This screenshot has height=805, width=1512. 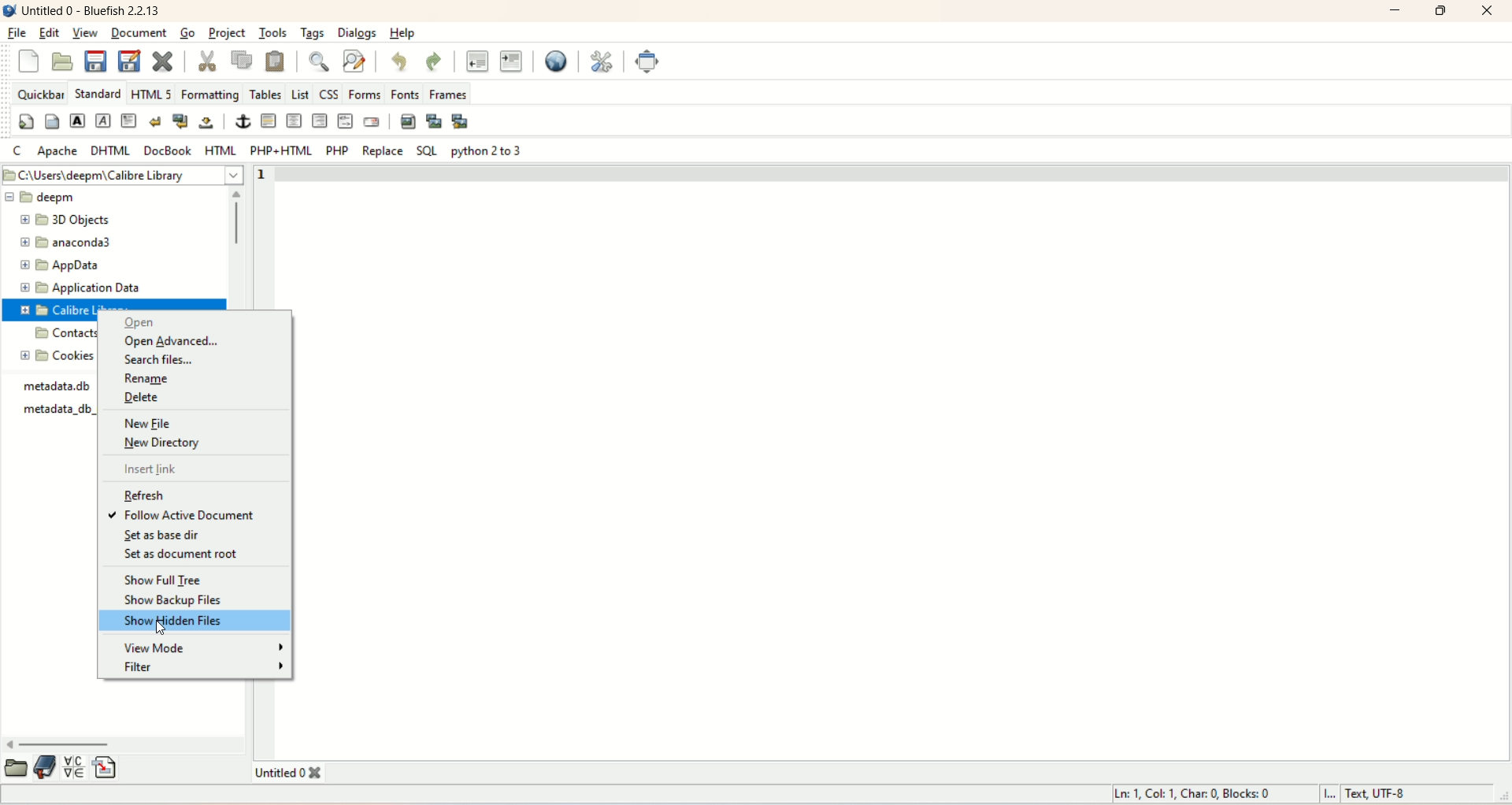 I want to click on documentation, so click(x=46, y=767).